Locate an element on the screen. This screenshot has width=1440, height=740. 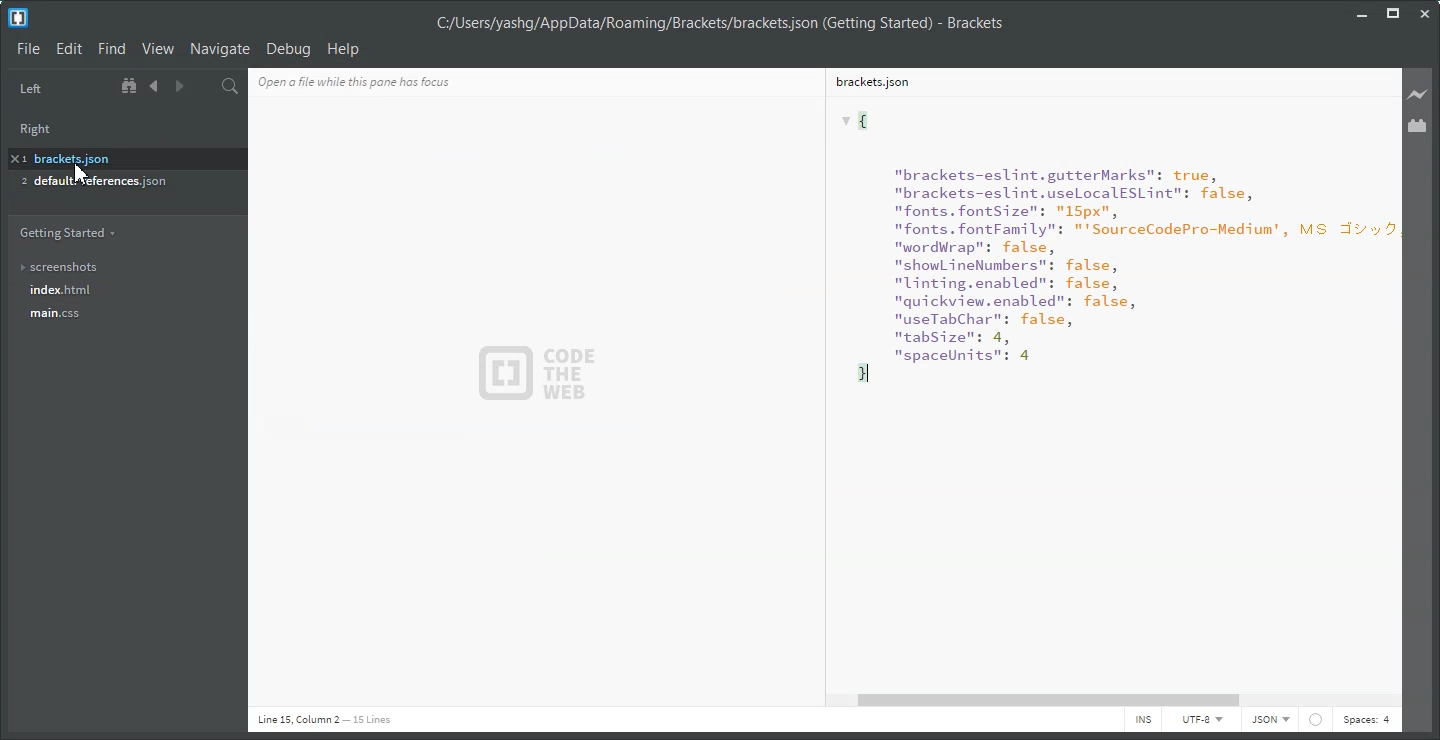
Horizontal Scroll Bar is located at coordinates (1119, 700).